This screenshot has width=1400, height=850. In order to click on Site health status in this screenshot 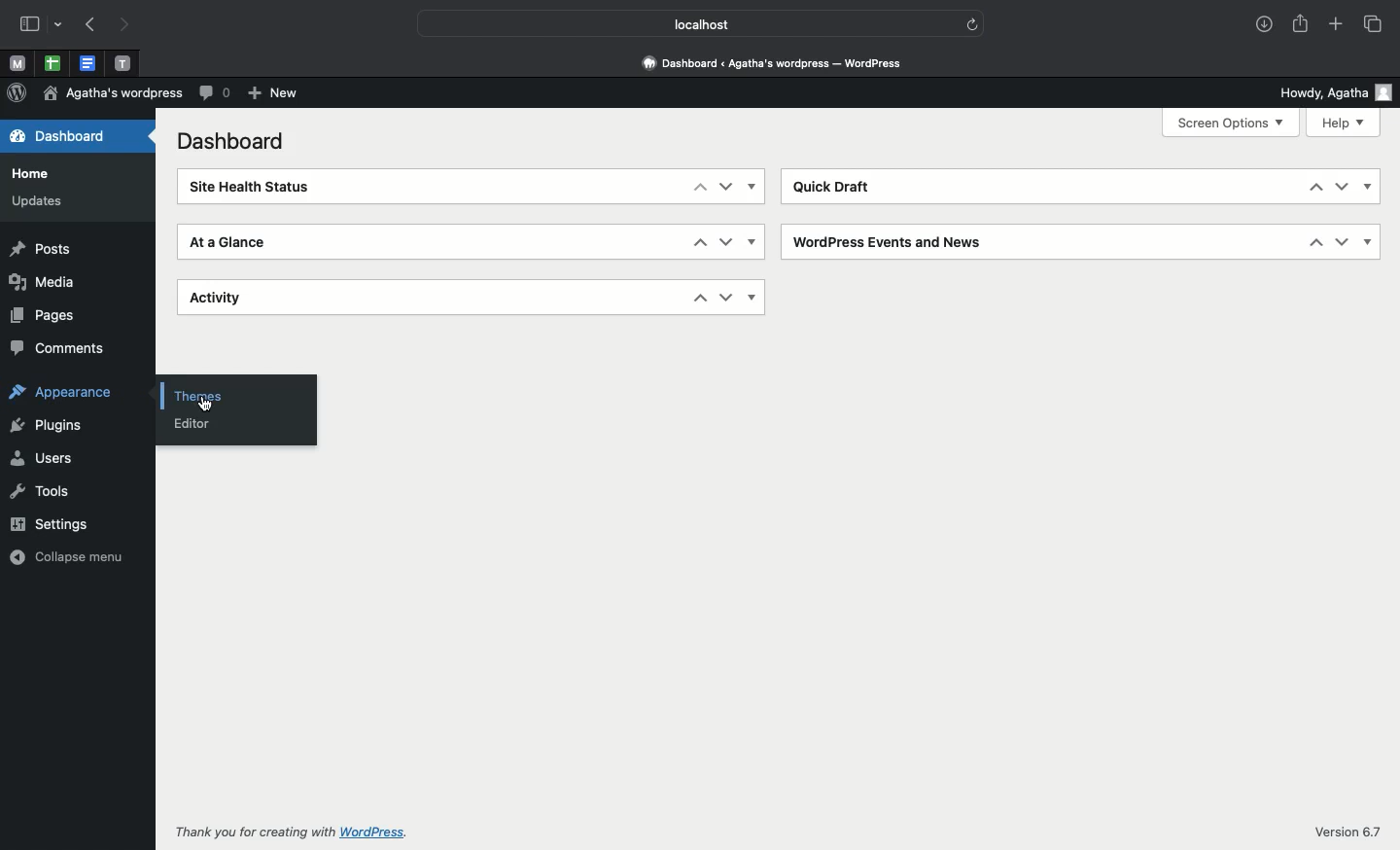, I will do `click(259, 187)`.